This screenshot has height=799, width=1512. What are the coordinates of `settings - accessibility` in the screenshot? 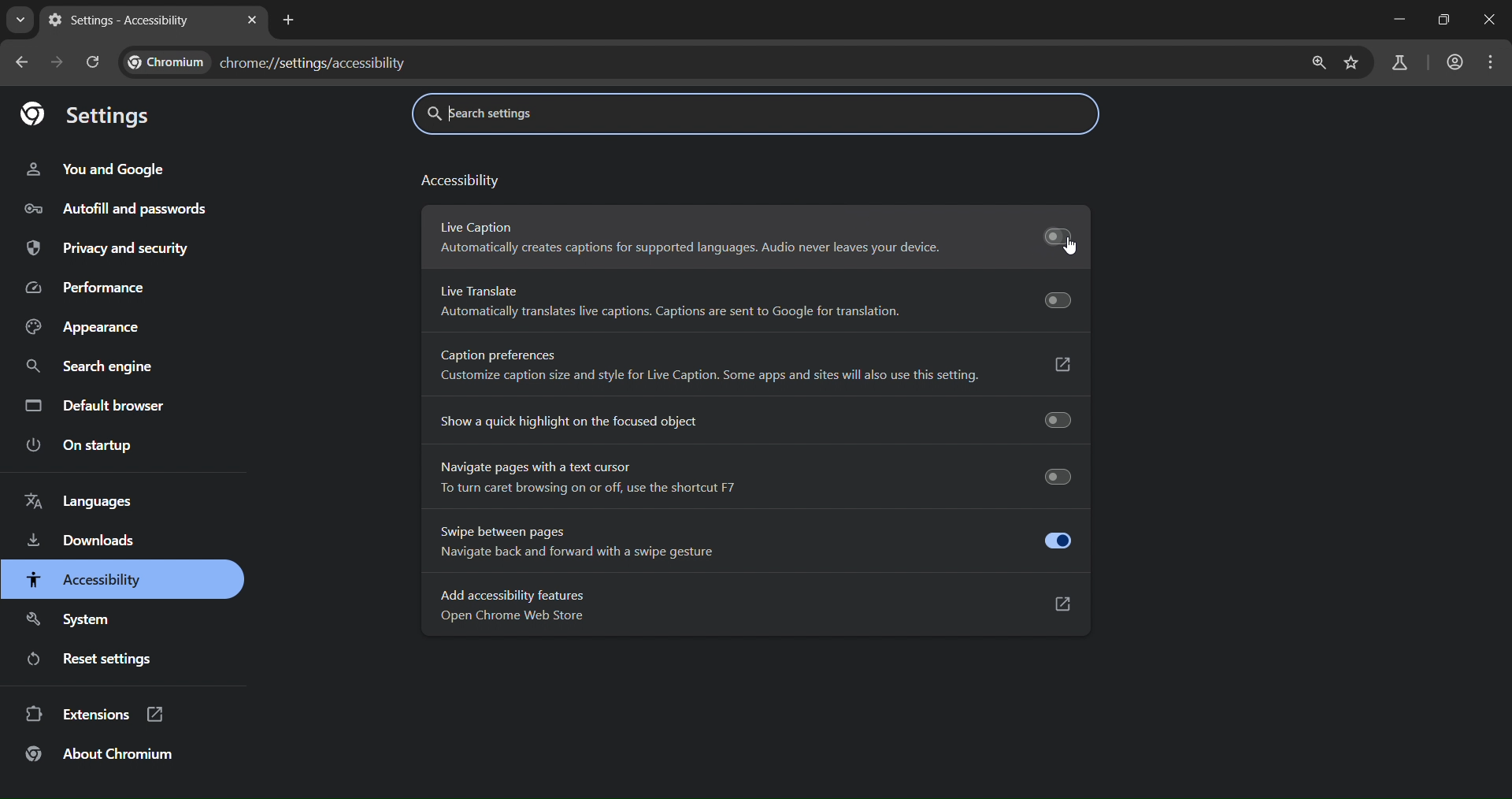 It's located at (132, 18).